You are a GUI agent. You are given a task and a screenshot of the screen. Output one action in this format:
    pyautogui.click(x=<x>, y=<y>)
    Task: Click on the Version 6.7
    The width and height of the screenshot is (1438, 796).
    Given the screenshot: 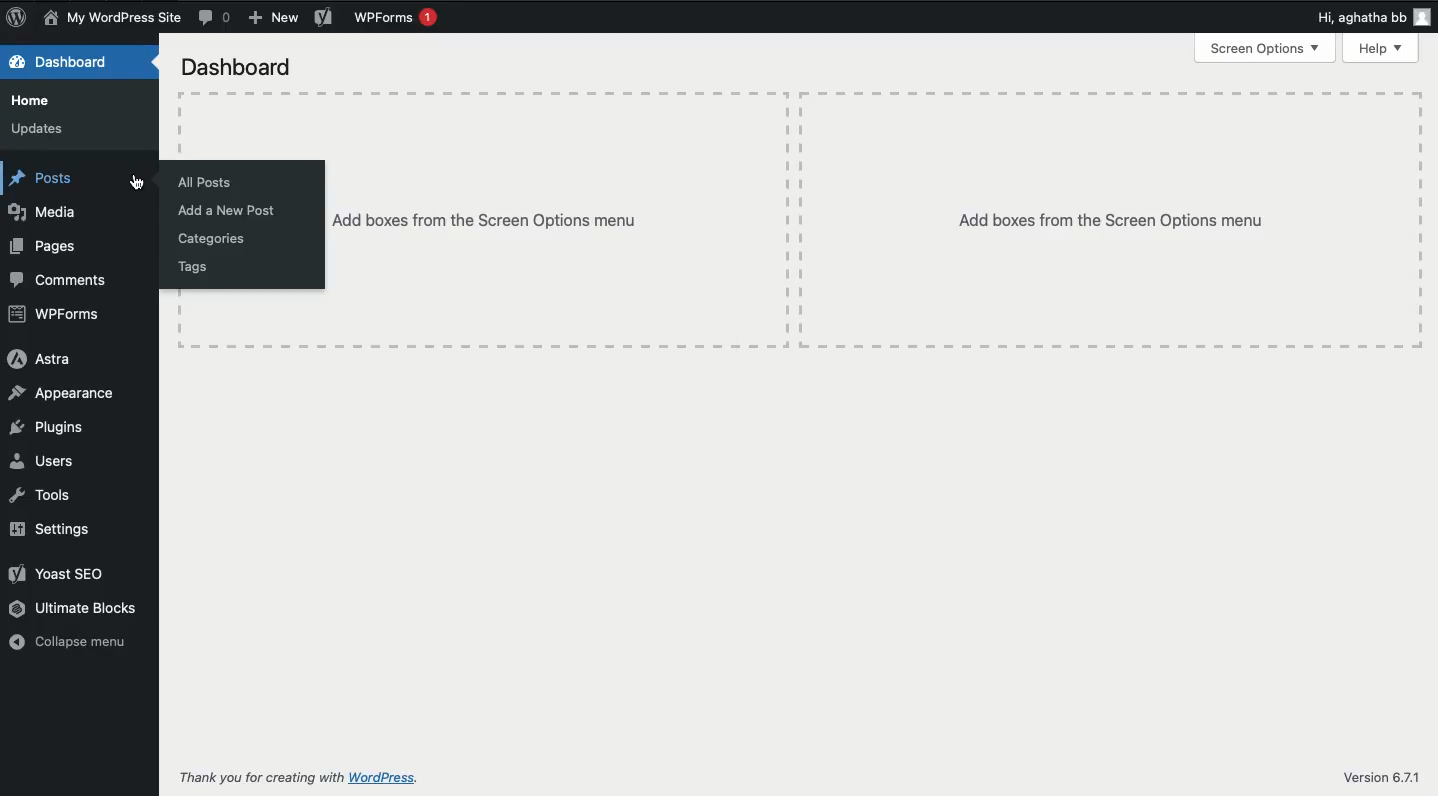 What is the action you would take?
    pyautogui.click(x=1383, y=776)
    